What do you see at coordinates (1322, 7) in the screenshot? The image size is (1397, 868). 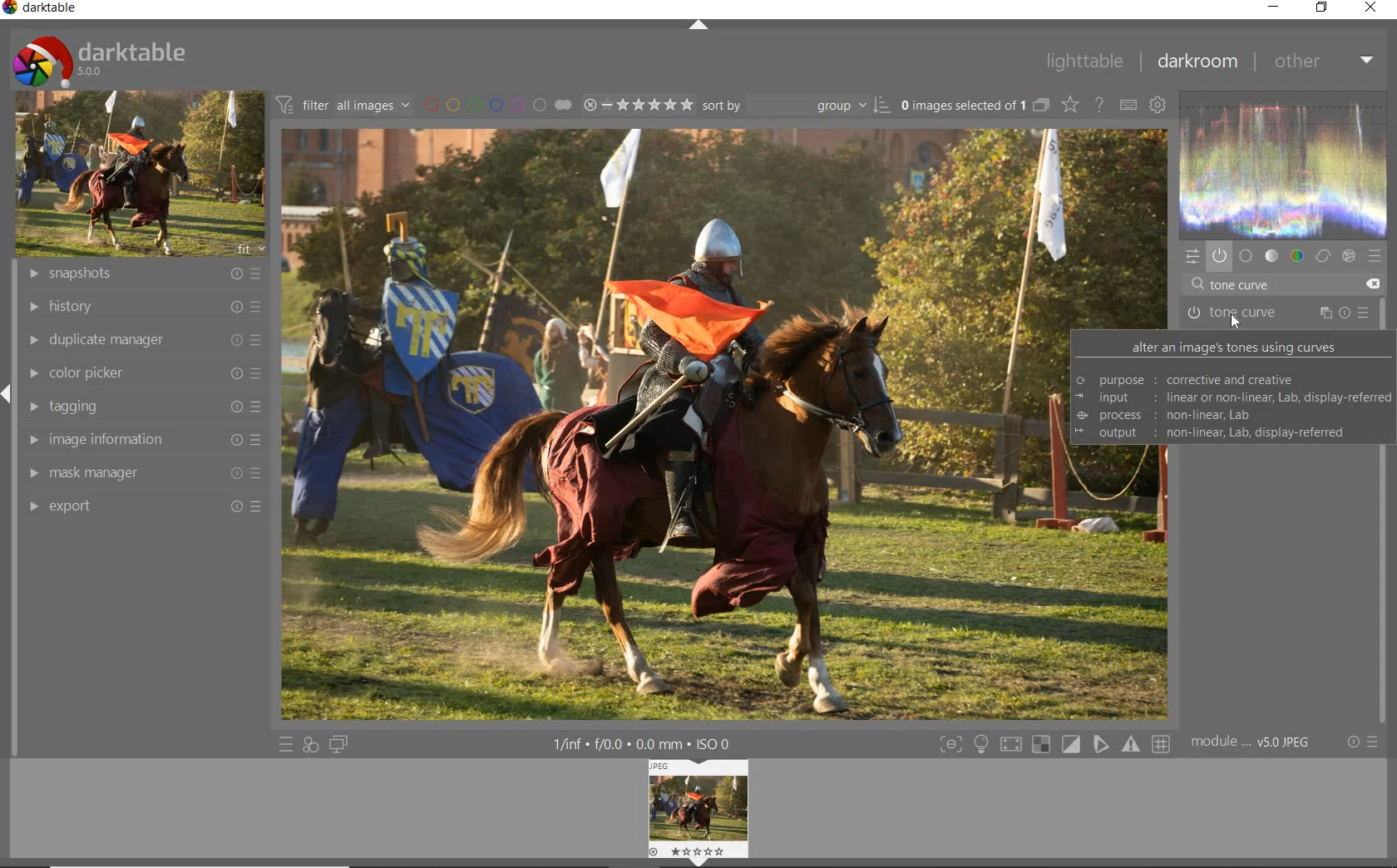 I see `restore` at bounding box center [1322, 7].